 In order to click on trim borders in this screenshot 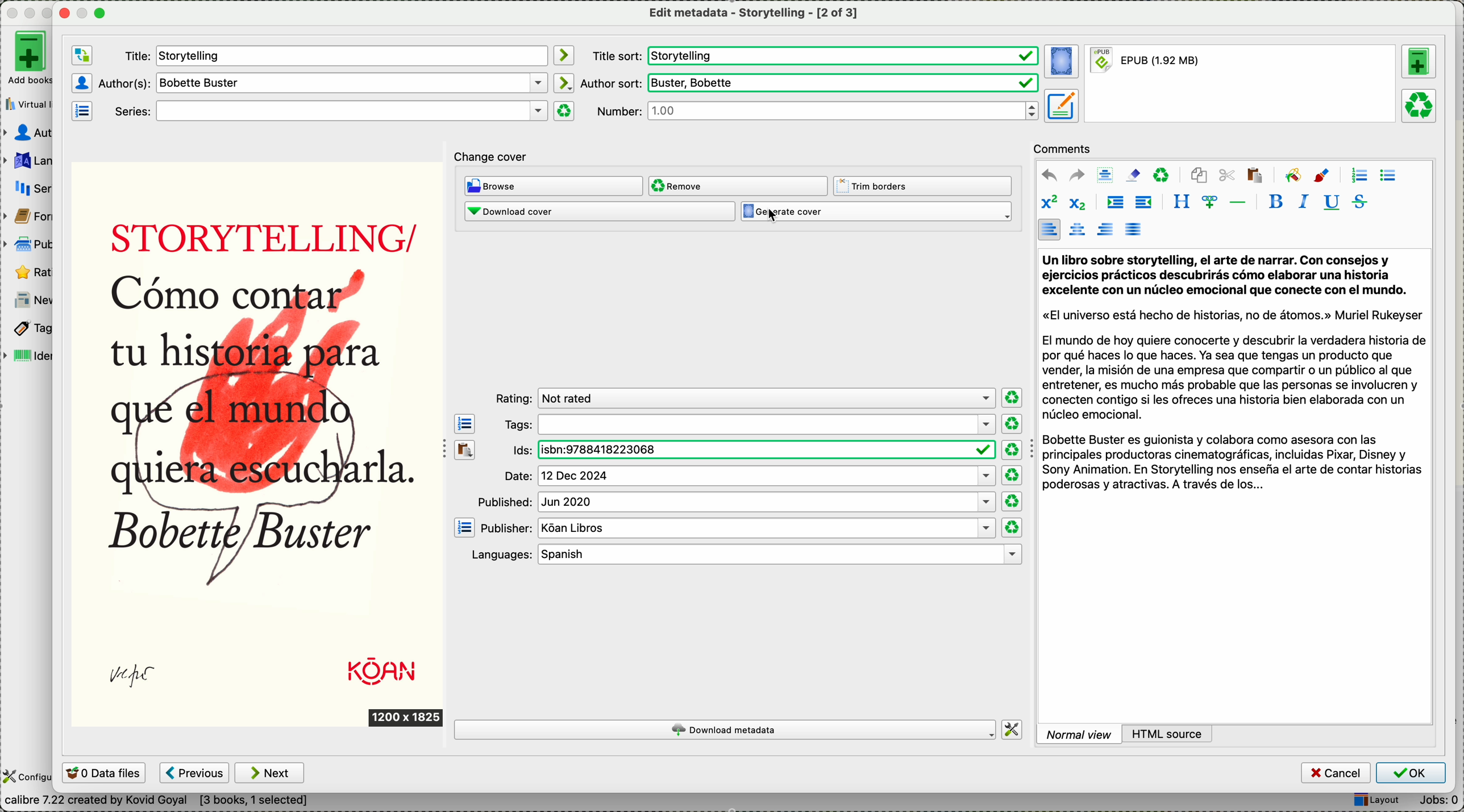, I will do `click(923, 186)`.